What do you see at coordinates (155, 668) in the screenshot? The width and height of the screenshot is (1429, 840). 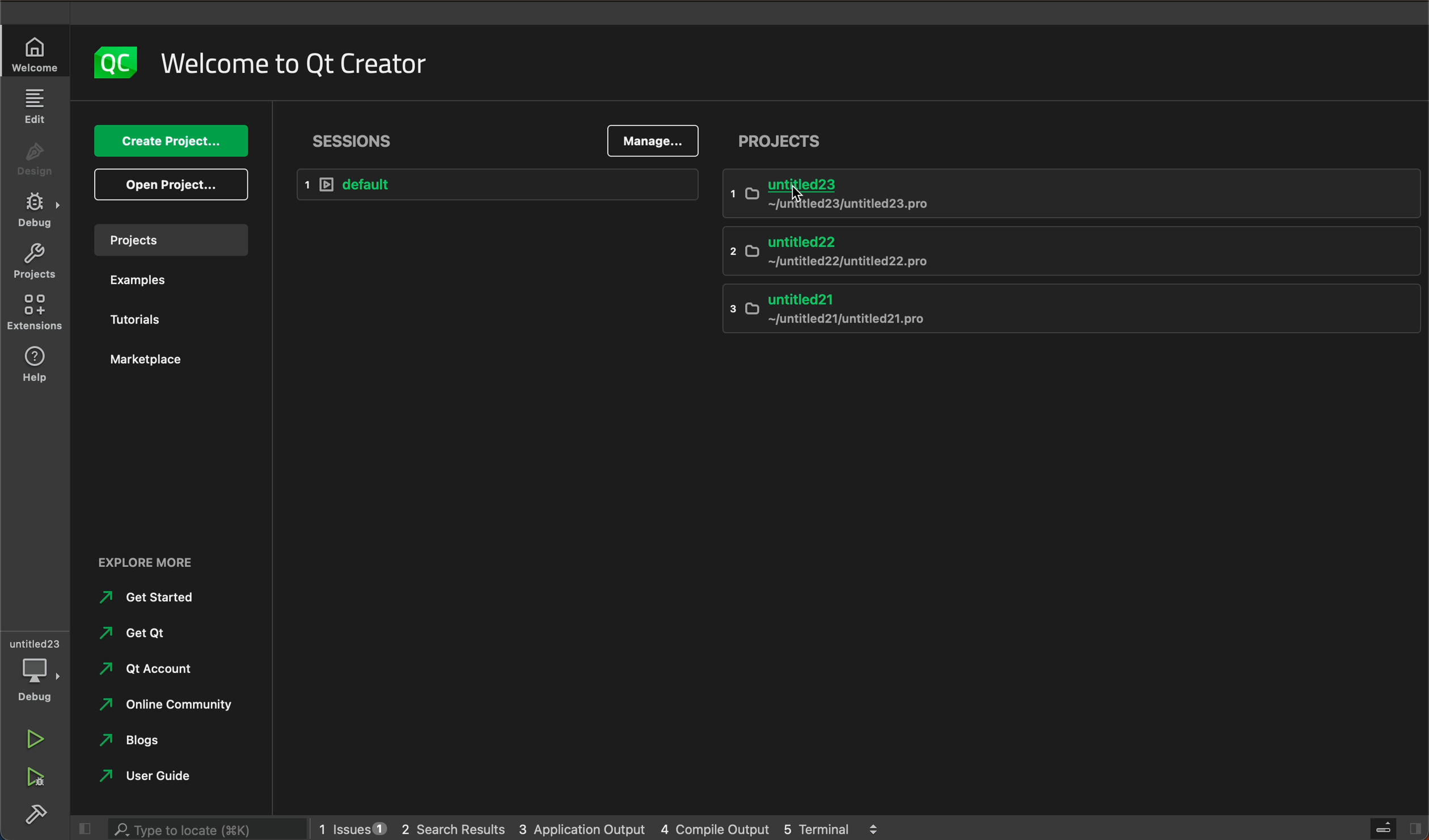 I see `qt account` at bounding box center [155, 668].